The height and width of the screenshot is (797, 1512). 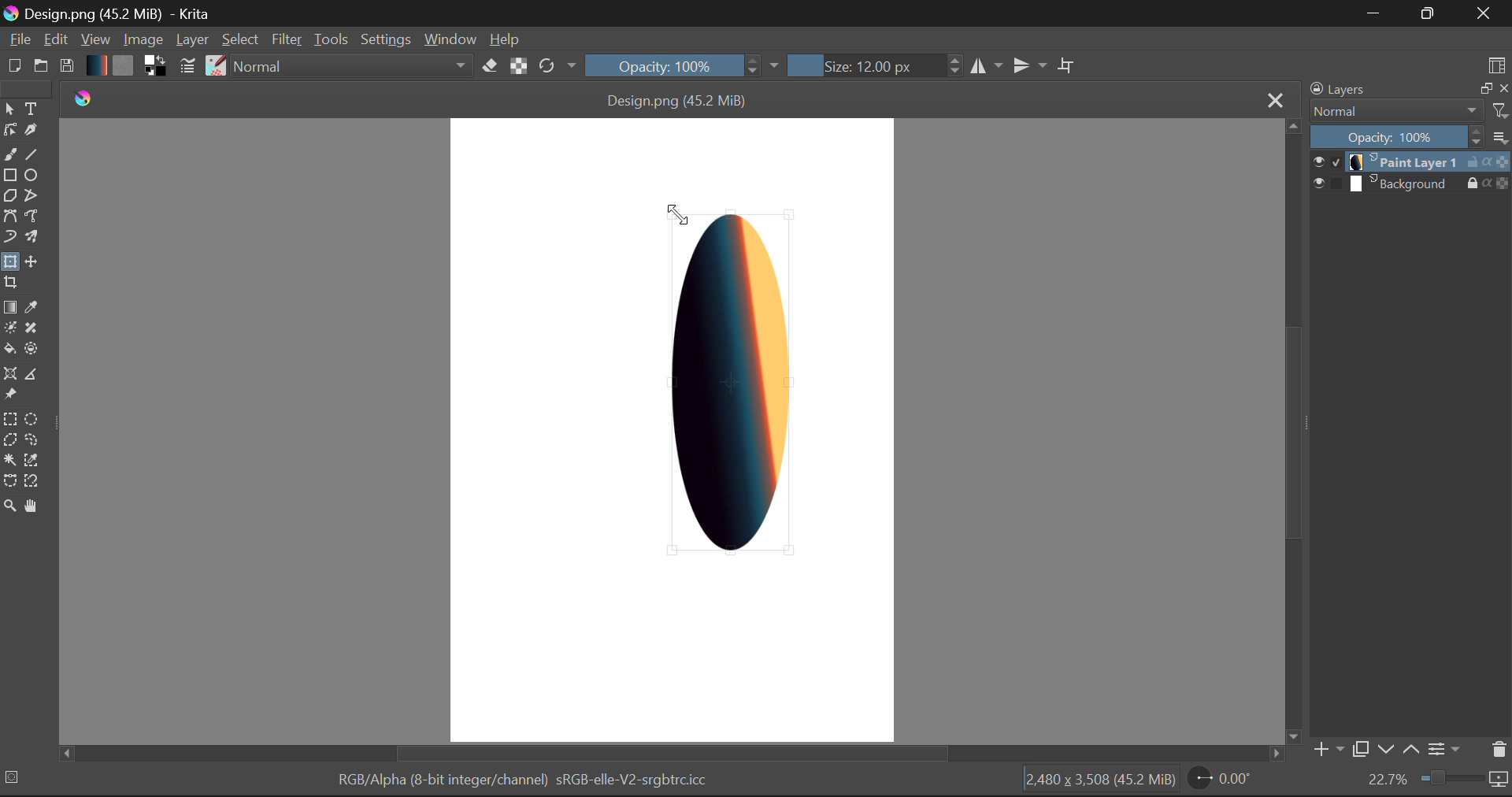 I want to click on Calligraphic Curve, so click(x=31, y=131).